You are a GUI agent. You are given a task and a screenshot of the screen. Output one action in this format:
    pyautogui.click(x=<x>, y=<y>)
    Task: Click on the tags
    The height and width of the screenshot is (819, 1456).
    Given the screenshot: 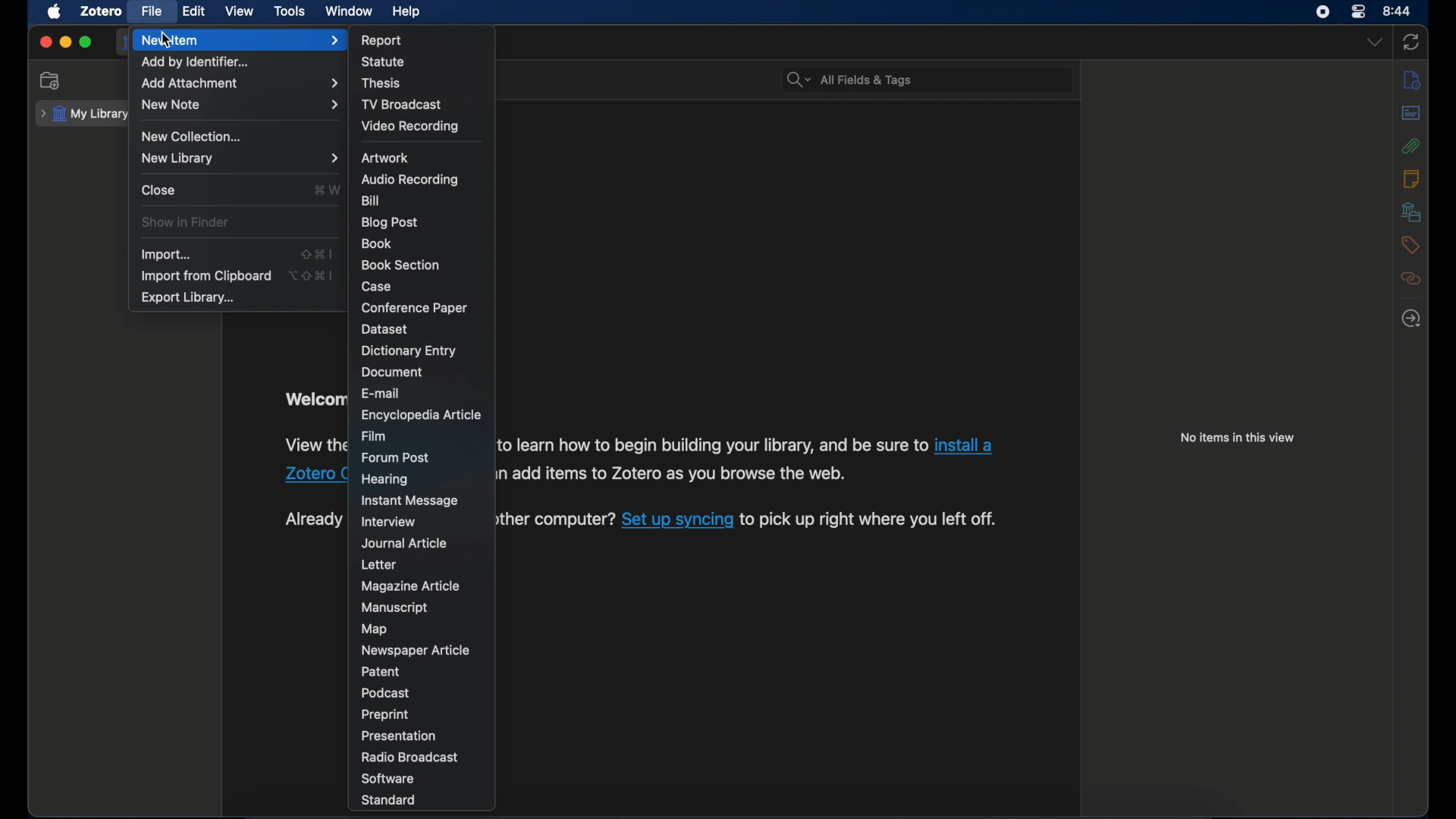 What is the action you would take?
    pyautogui.click(x=1410, y=245)
    